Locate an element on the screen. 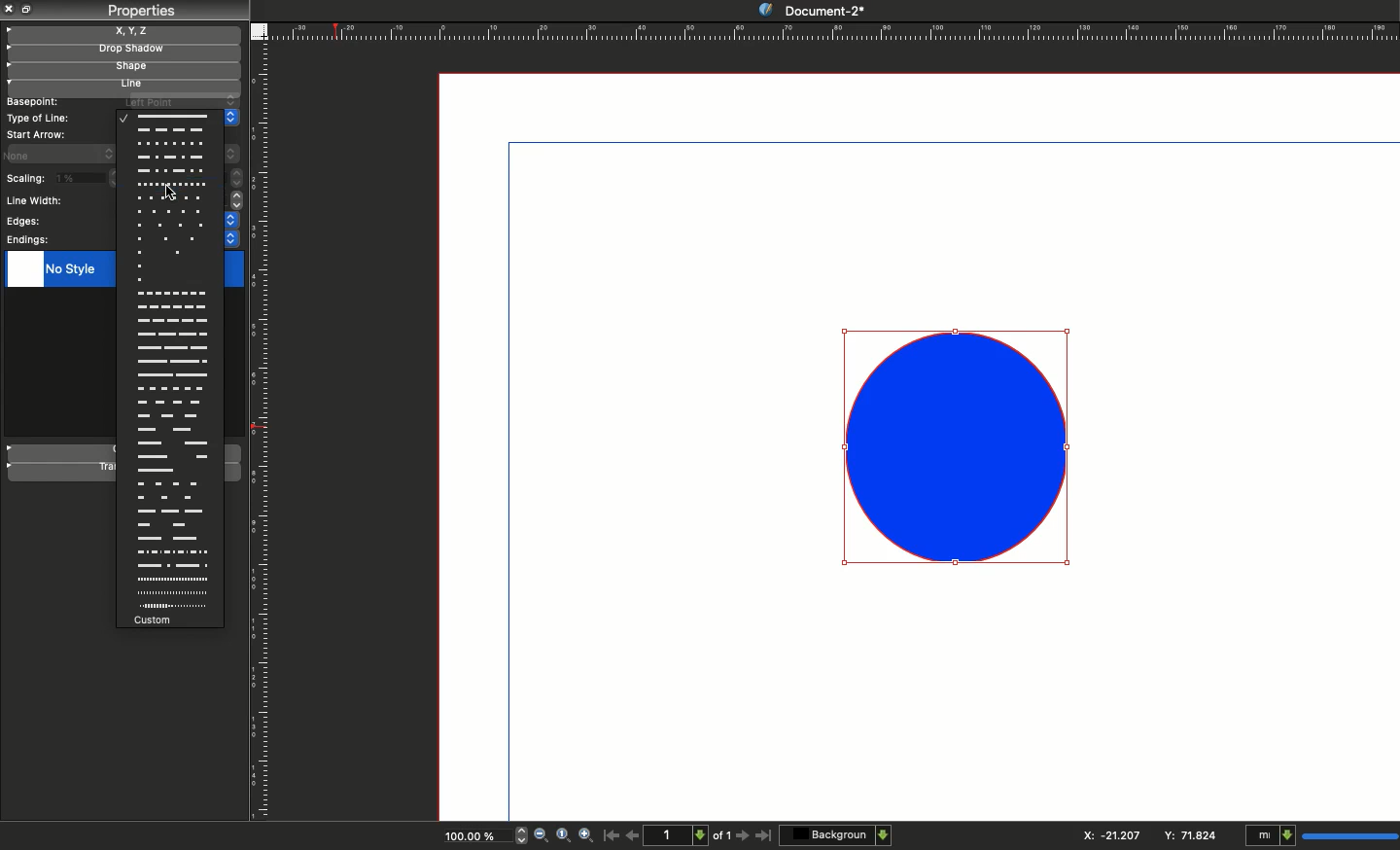  Line option is located at coordinates (168, 607).